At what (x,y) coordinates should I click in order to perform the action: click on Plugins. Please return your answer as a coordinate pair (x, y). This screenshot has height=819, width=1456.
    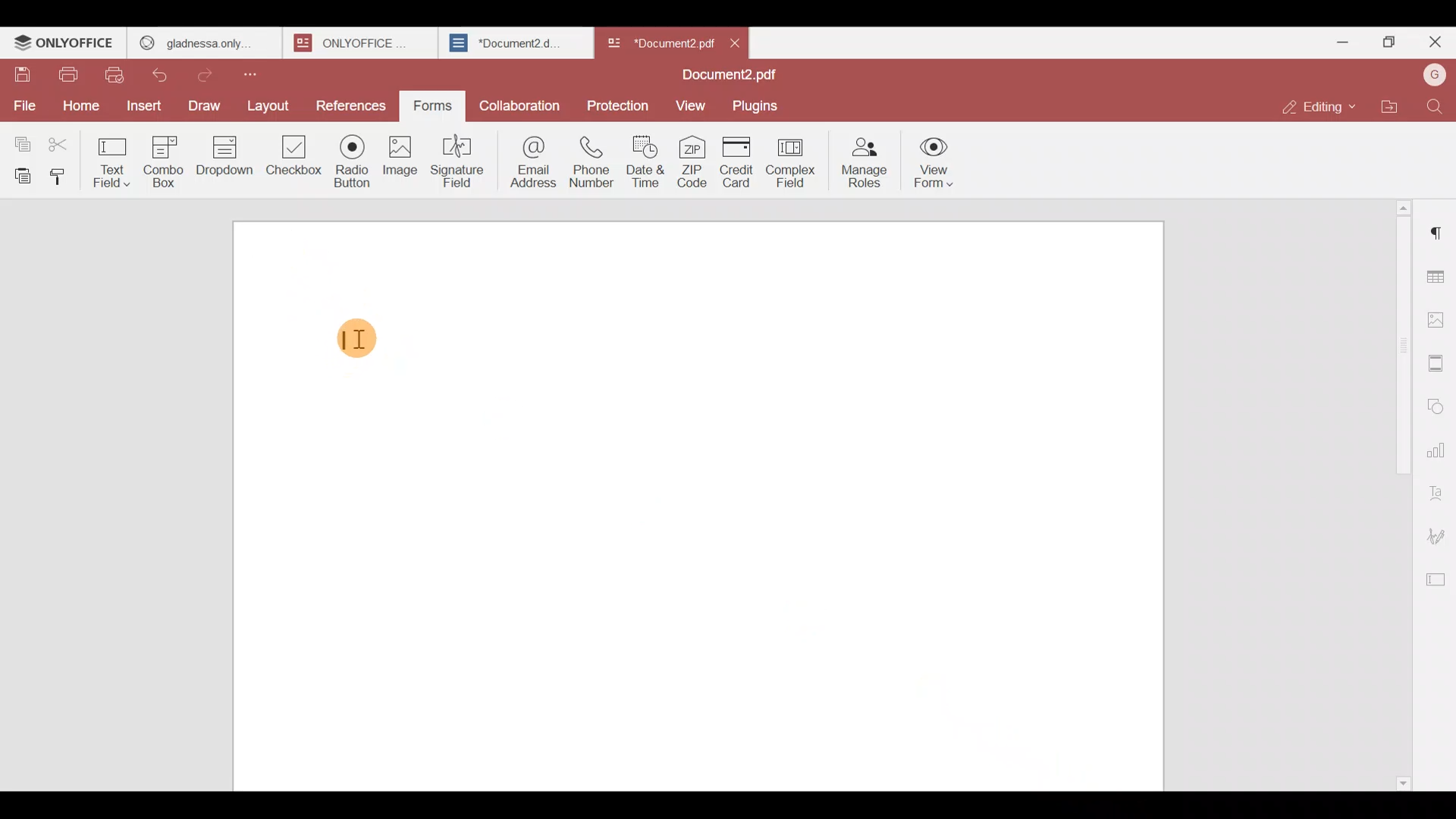
    Looking at the image, I should click on (756, 105).